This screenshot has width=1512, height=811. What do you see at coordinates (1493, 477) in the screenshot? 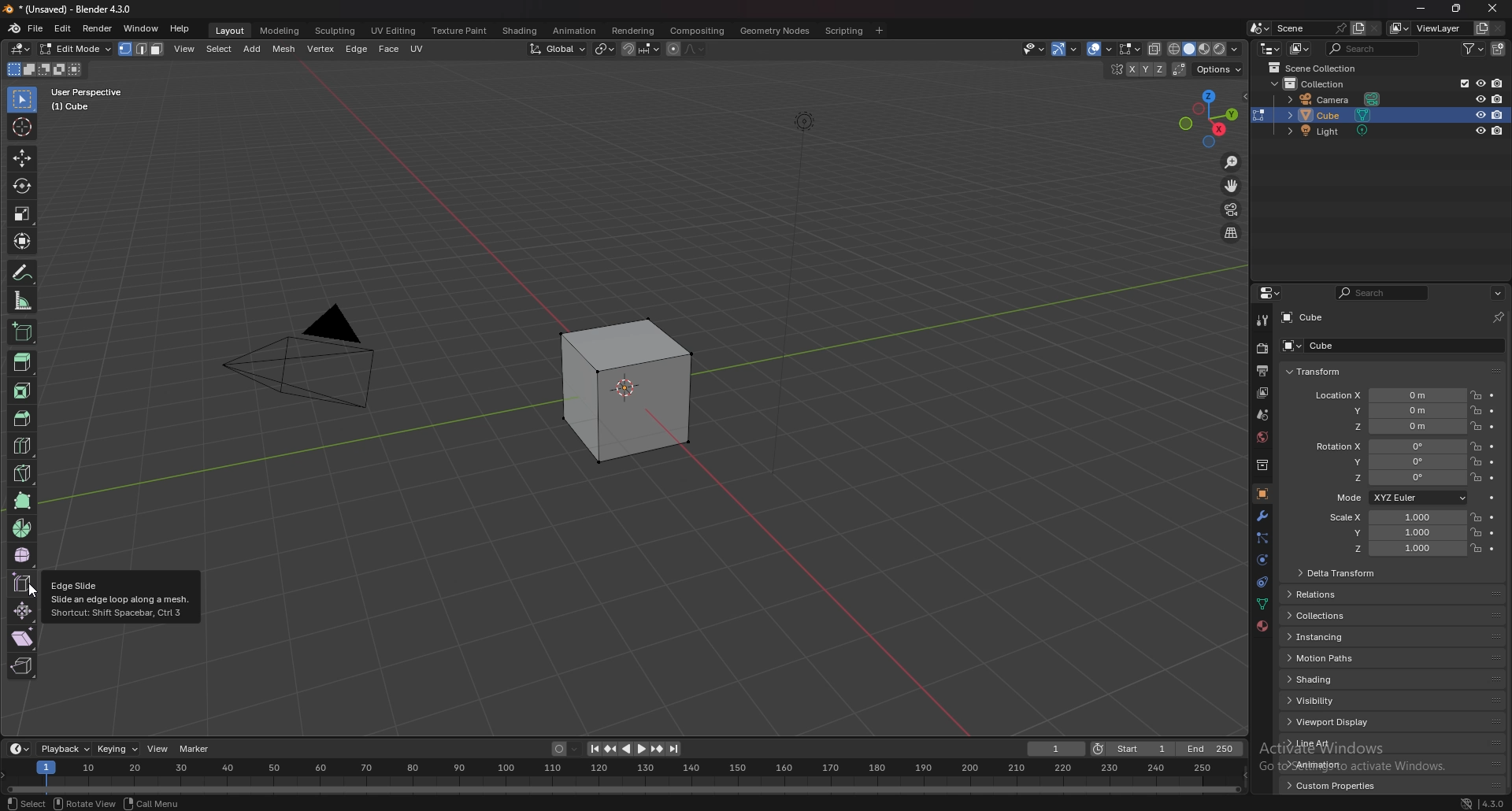
I see `animate property` at bounding box center [1493, 477].